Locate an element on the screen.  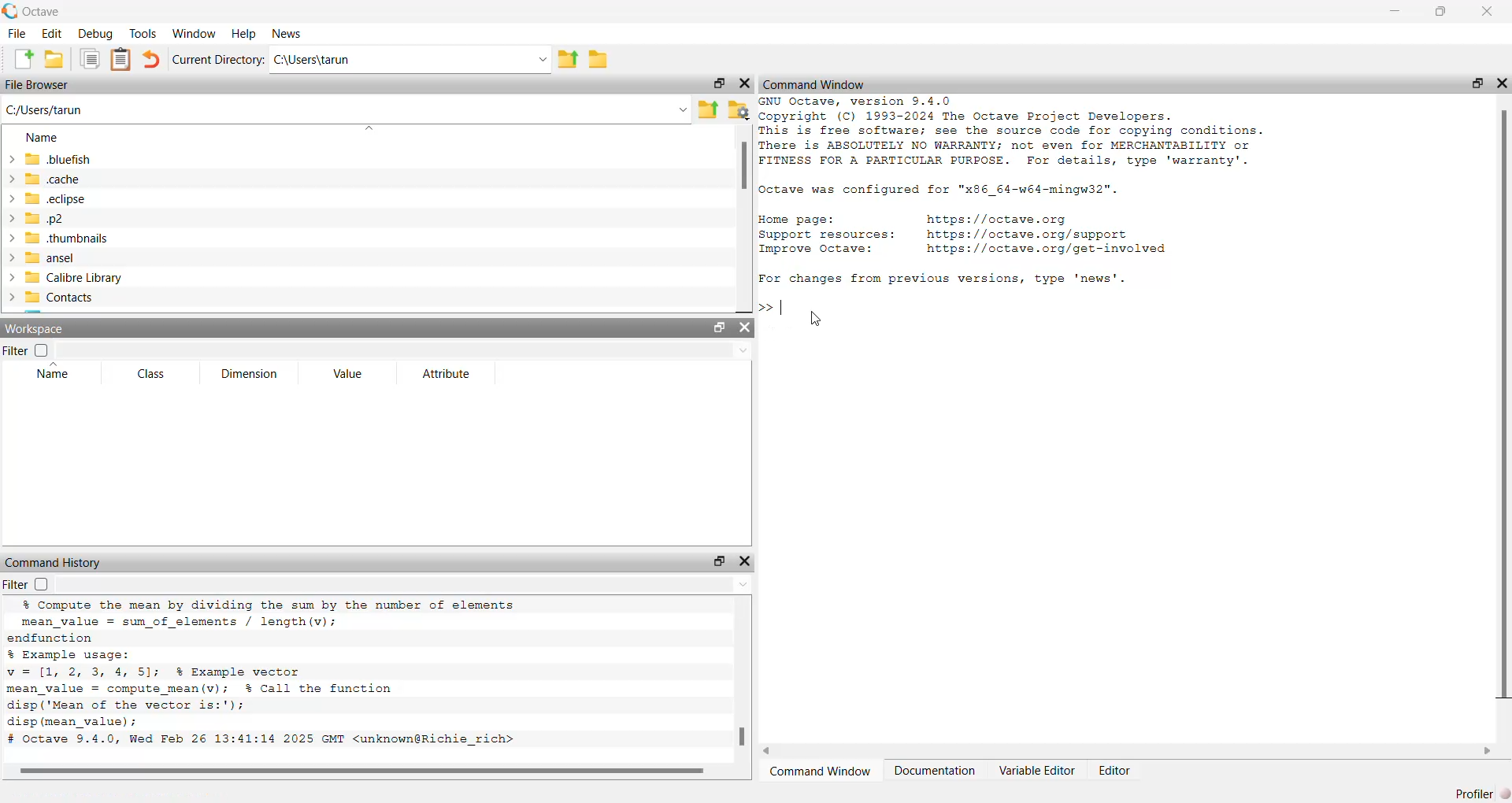
open in separate window is located at coordinates (720, 83).